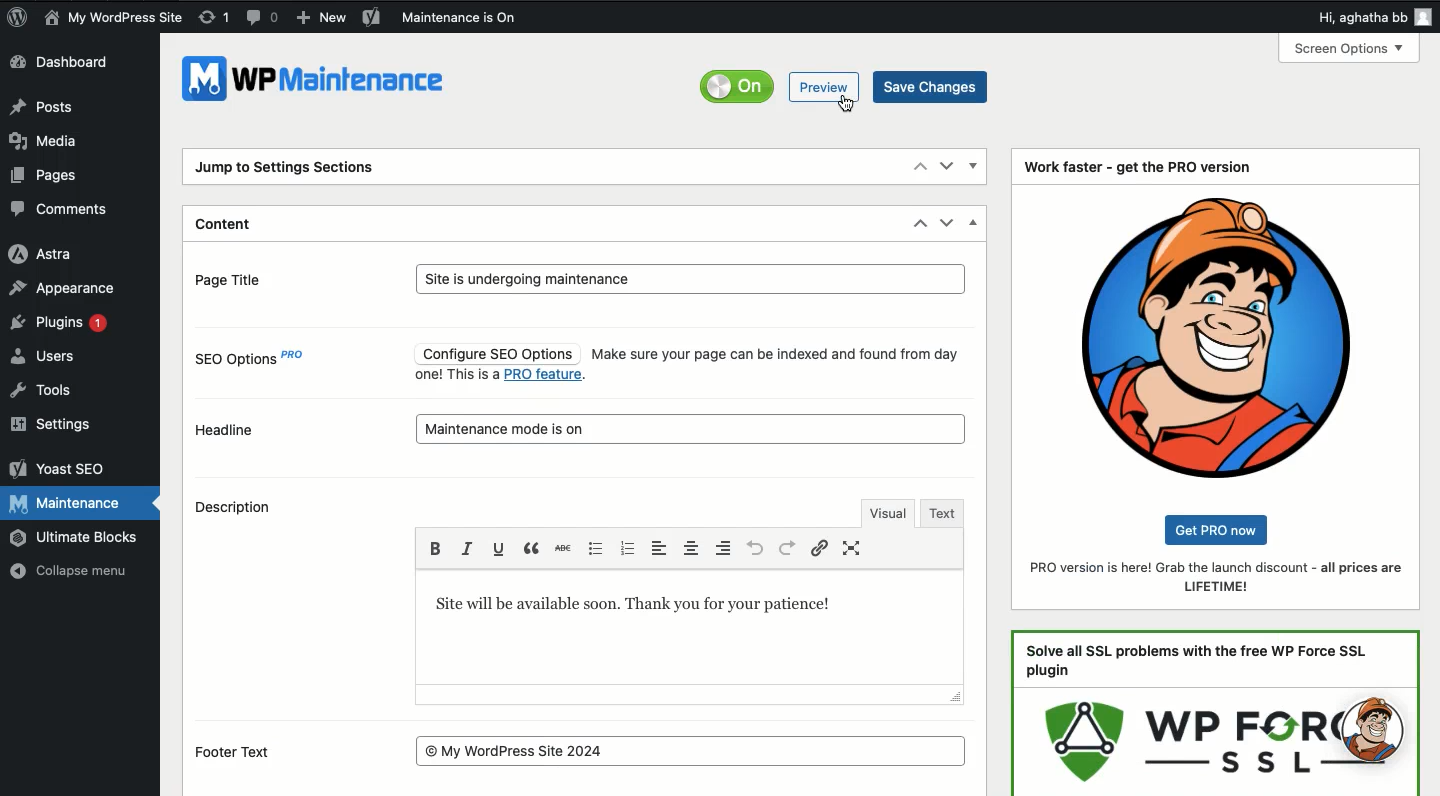 The width and height of the screenshot is (1440, 796). Describe the element at coordinates (694, 548) in the screenshot. I see `Center ` at that location.